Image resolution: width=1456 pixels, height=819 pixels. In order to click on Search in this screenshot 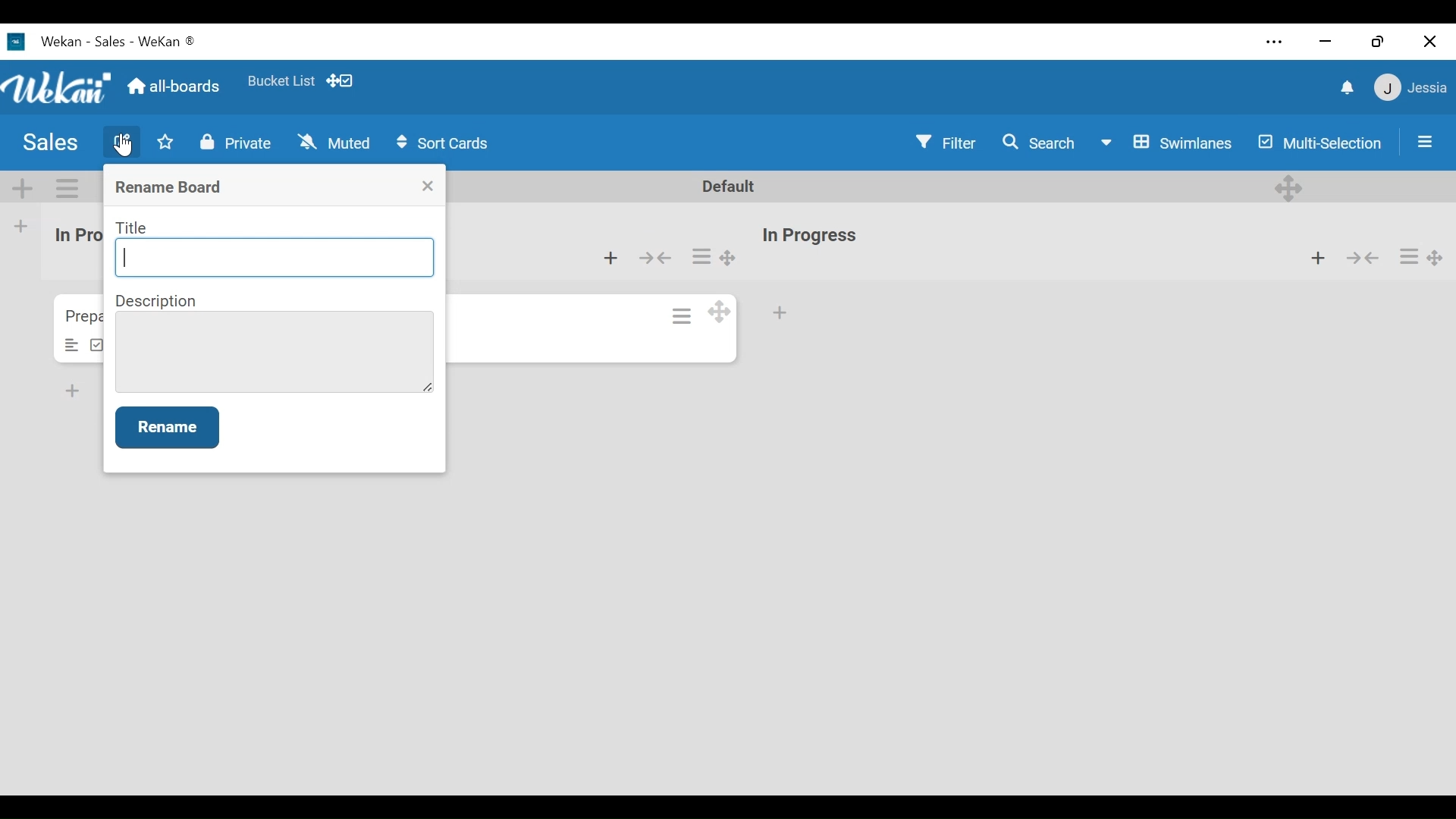, I will do `click(1041, 143)`.